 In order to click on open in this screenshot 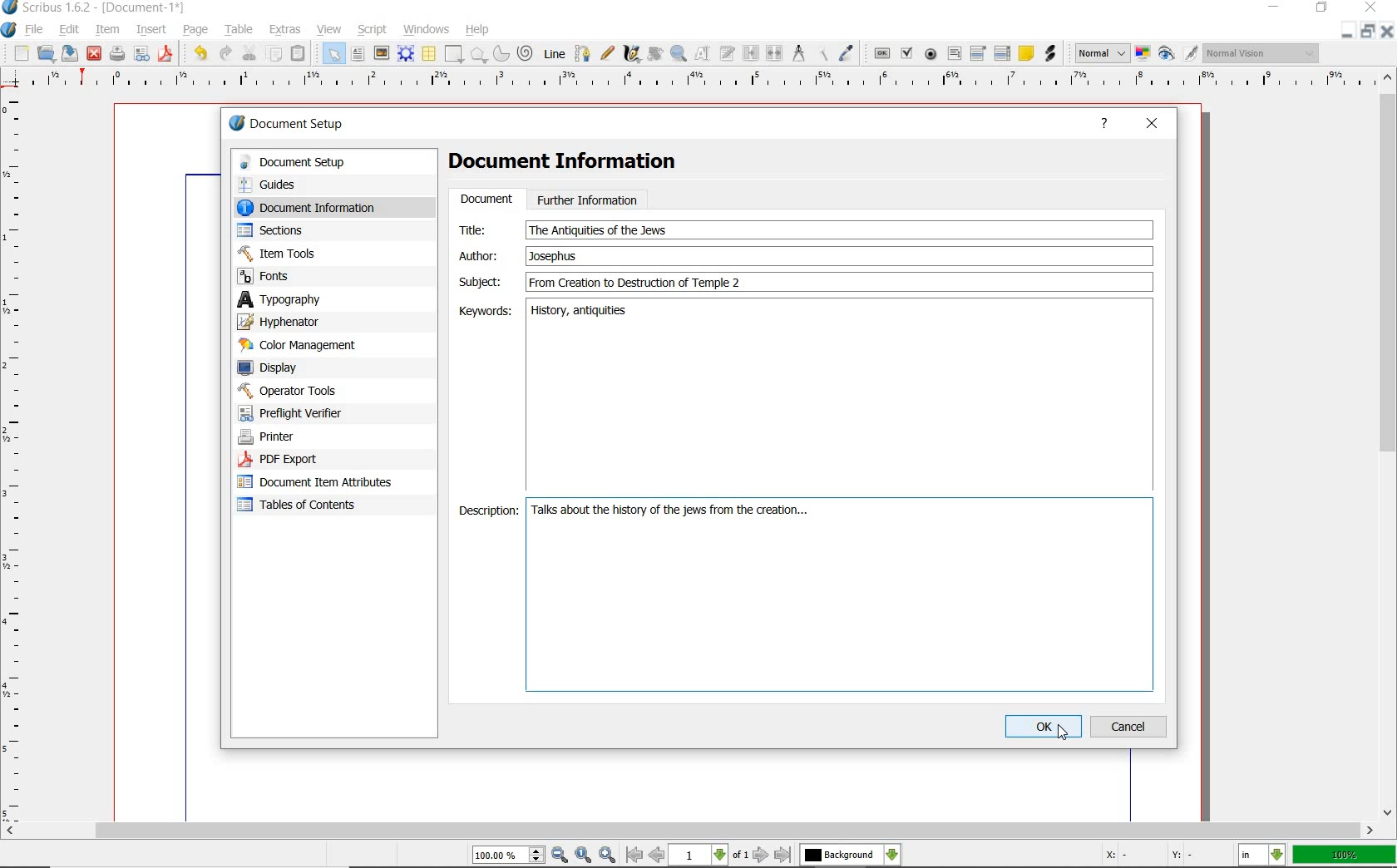, I will do `click(47, 53)`.